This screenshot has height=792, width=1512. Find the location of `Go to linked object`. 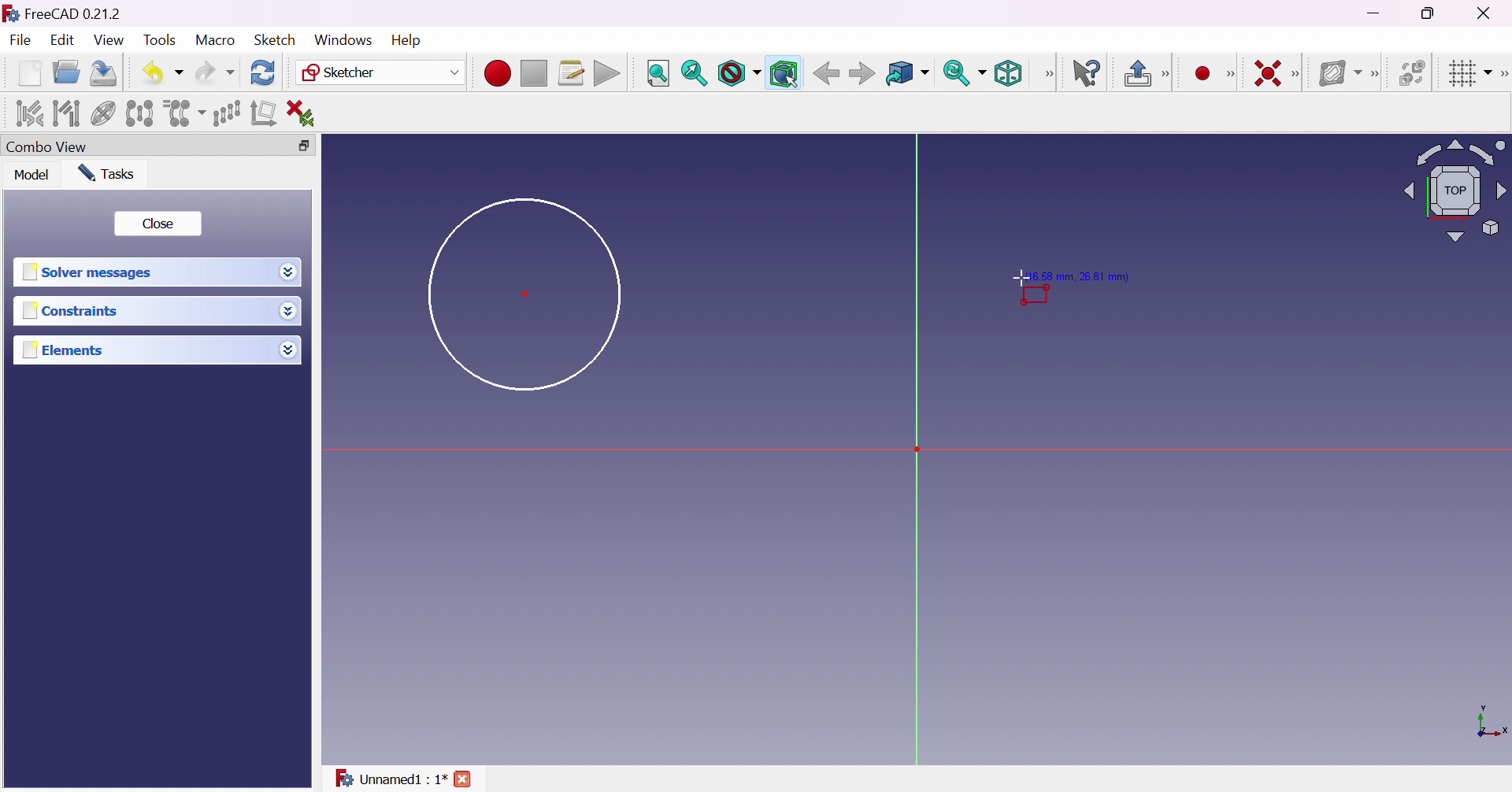

Go to linked object is located at coordinates (906, 74).